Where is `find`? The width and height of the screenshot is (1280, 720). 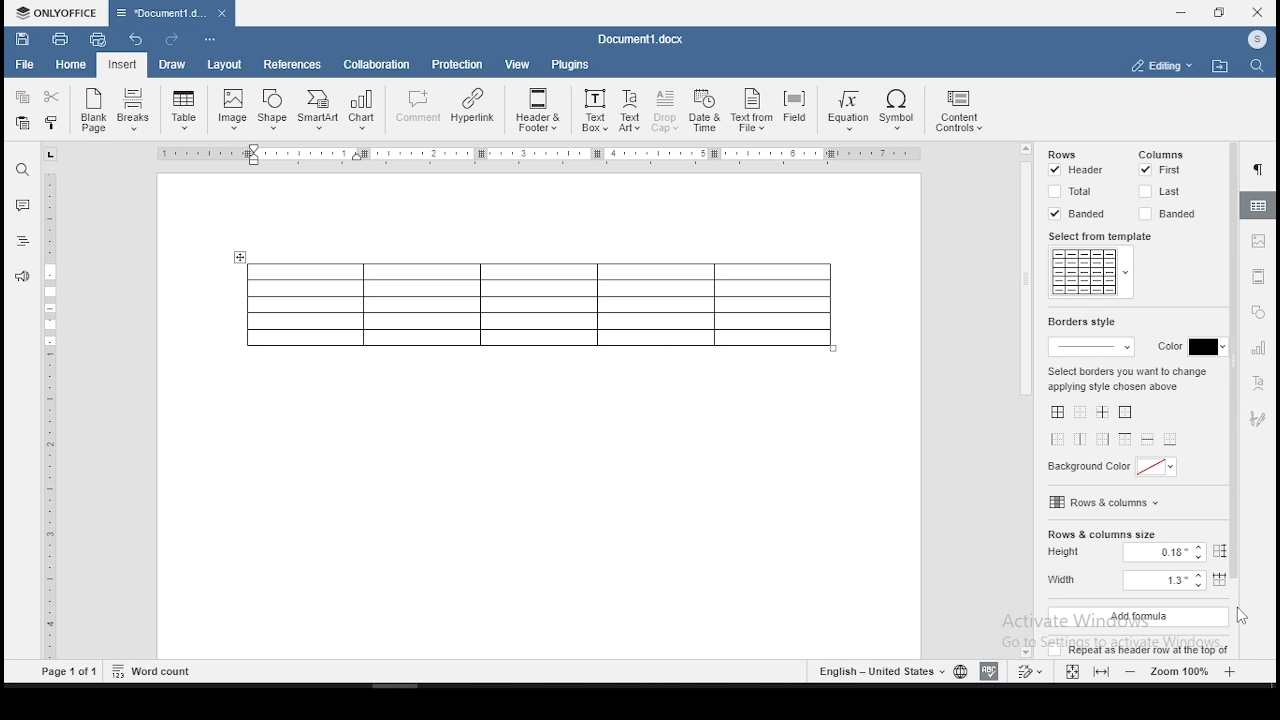 find is located at coordinates (1255, 67).